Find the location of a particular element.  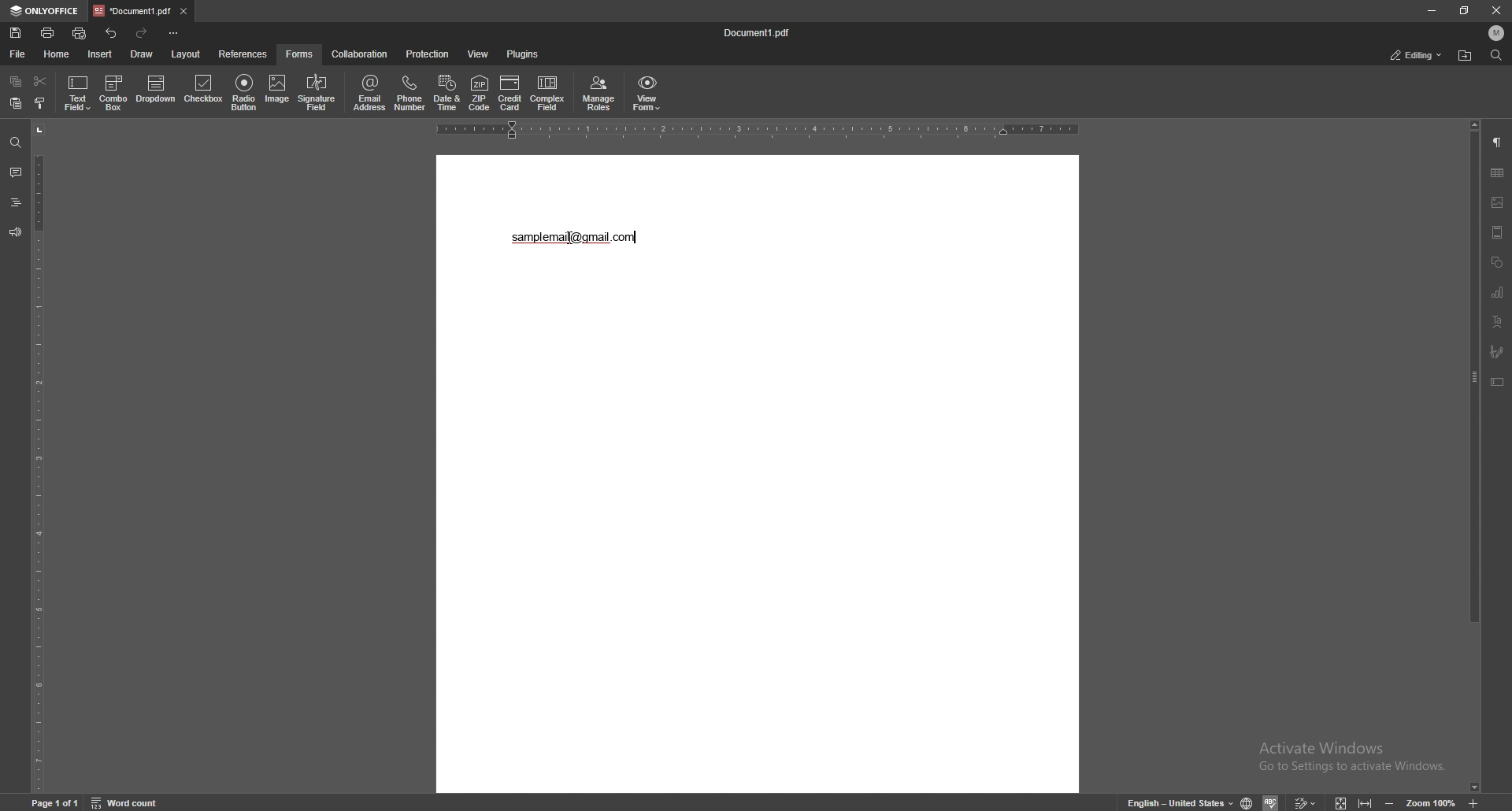

signature field is located at coordinates (317, 93).